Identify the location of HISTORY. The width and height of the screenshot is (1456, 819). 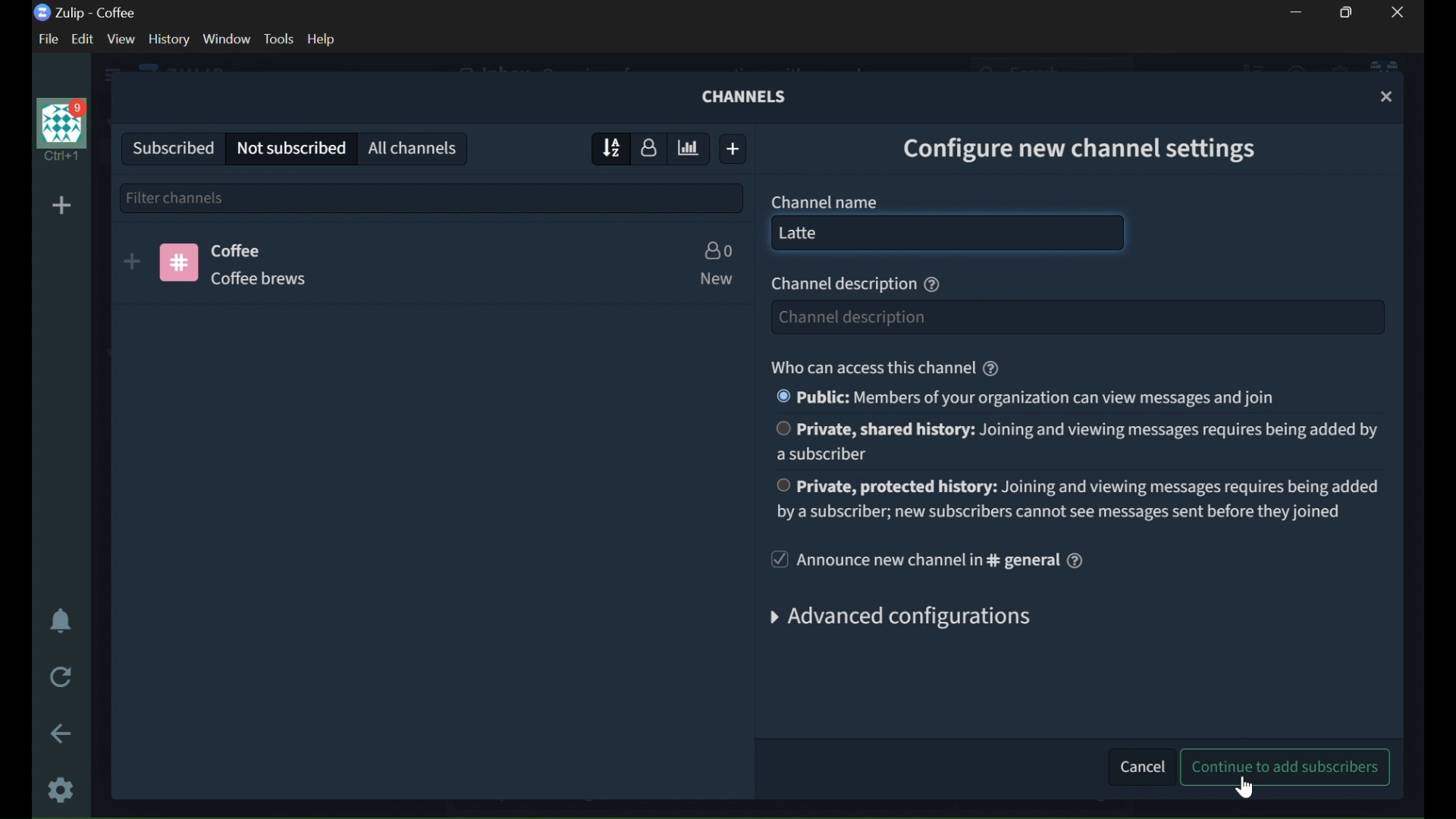
(170, 39).